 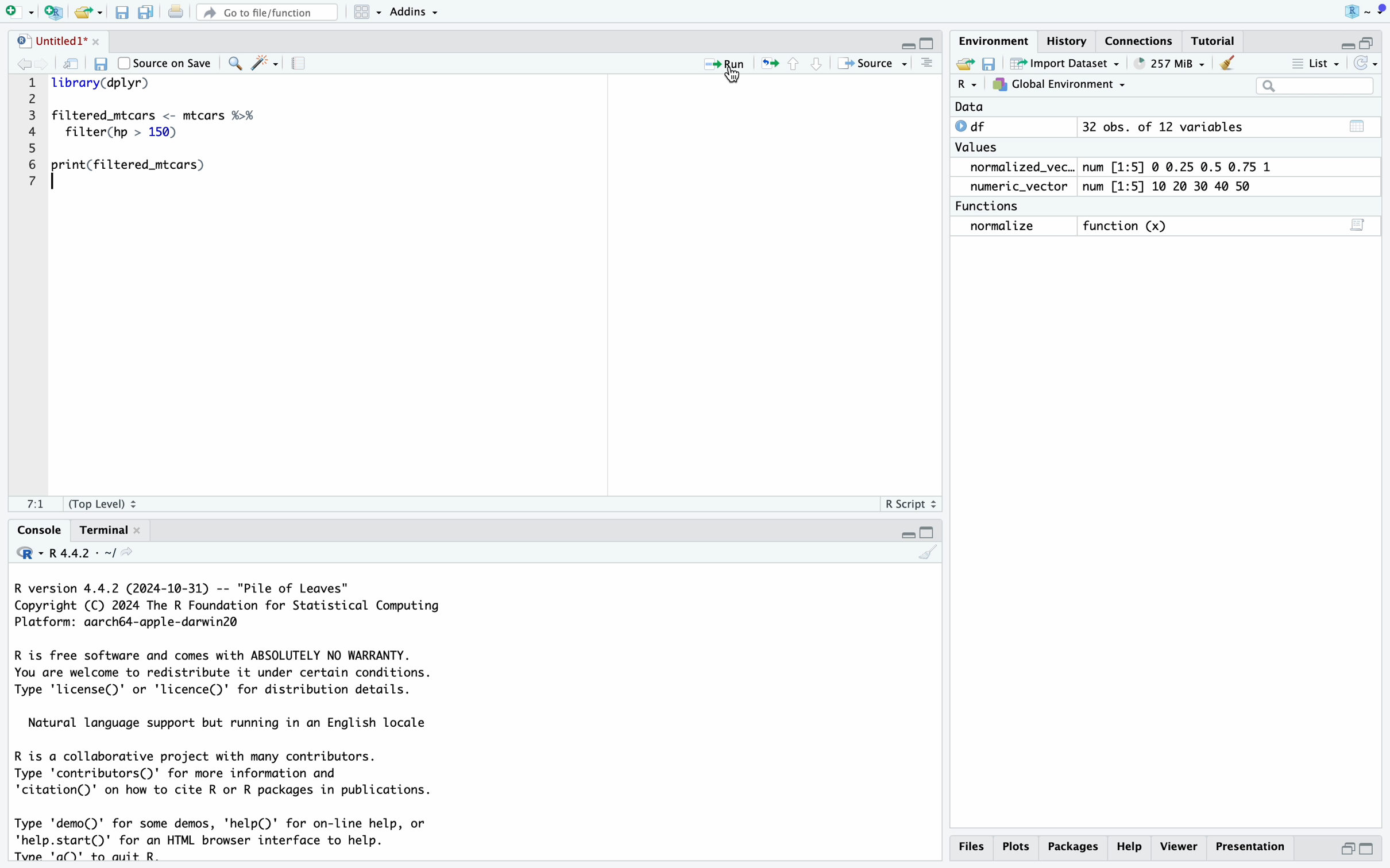 I want to click on re-run the previous section, so click(x=770, y=64).